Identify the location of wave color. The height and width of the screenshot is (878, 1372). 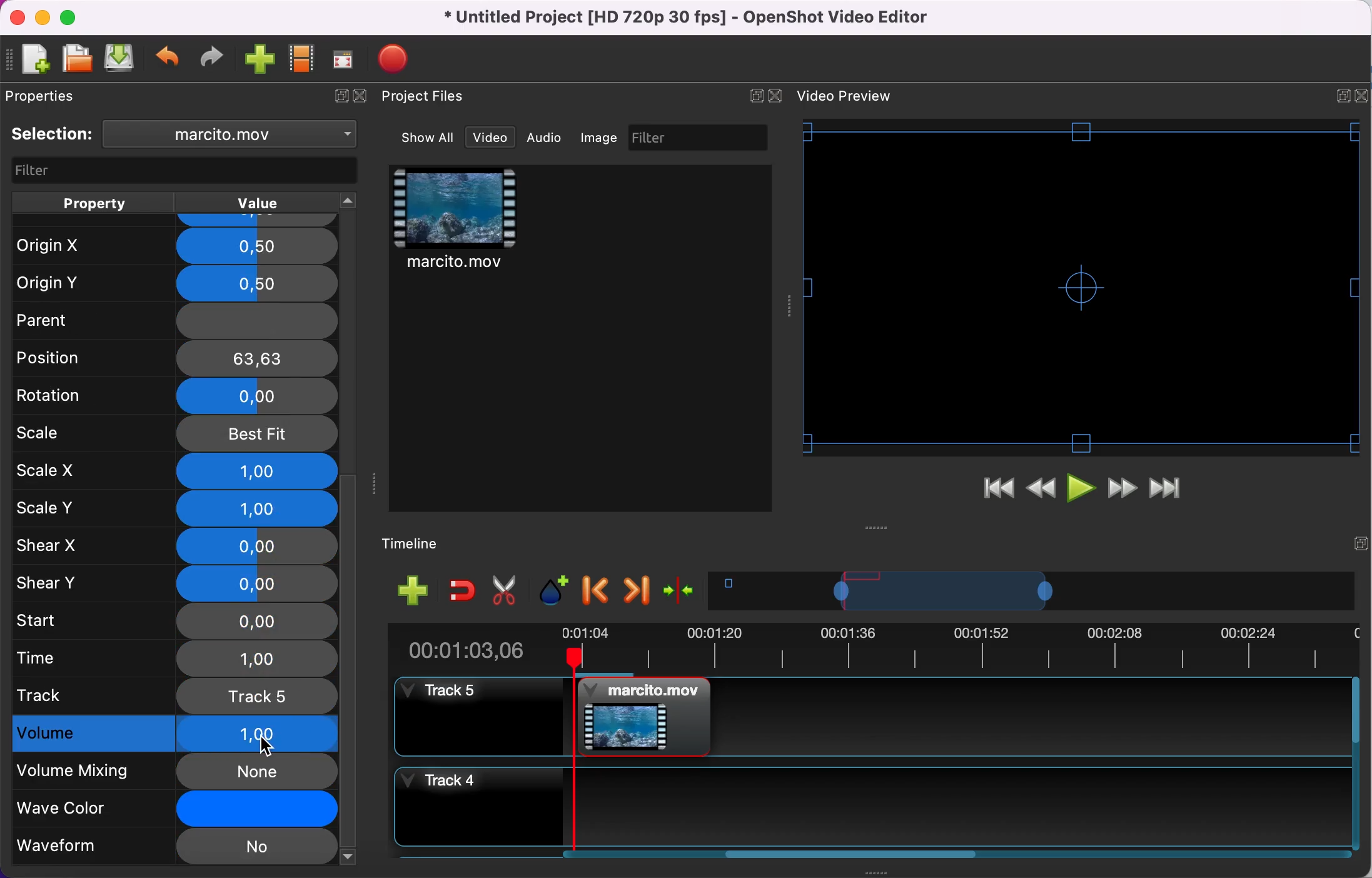
(176, 810).